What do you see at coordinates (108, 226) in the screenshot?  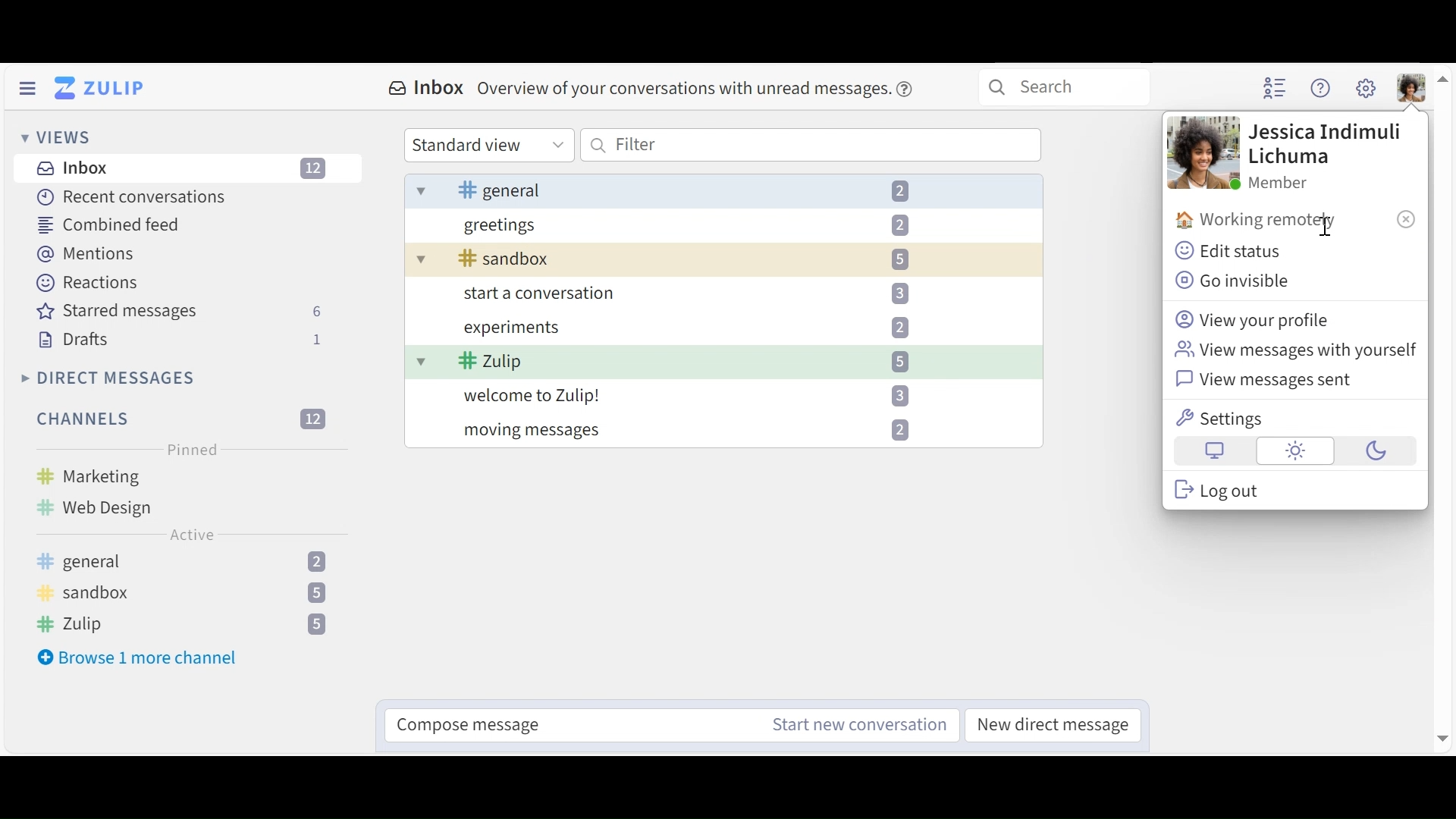 I see `Combined feed` at bounding box center [108, 226].